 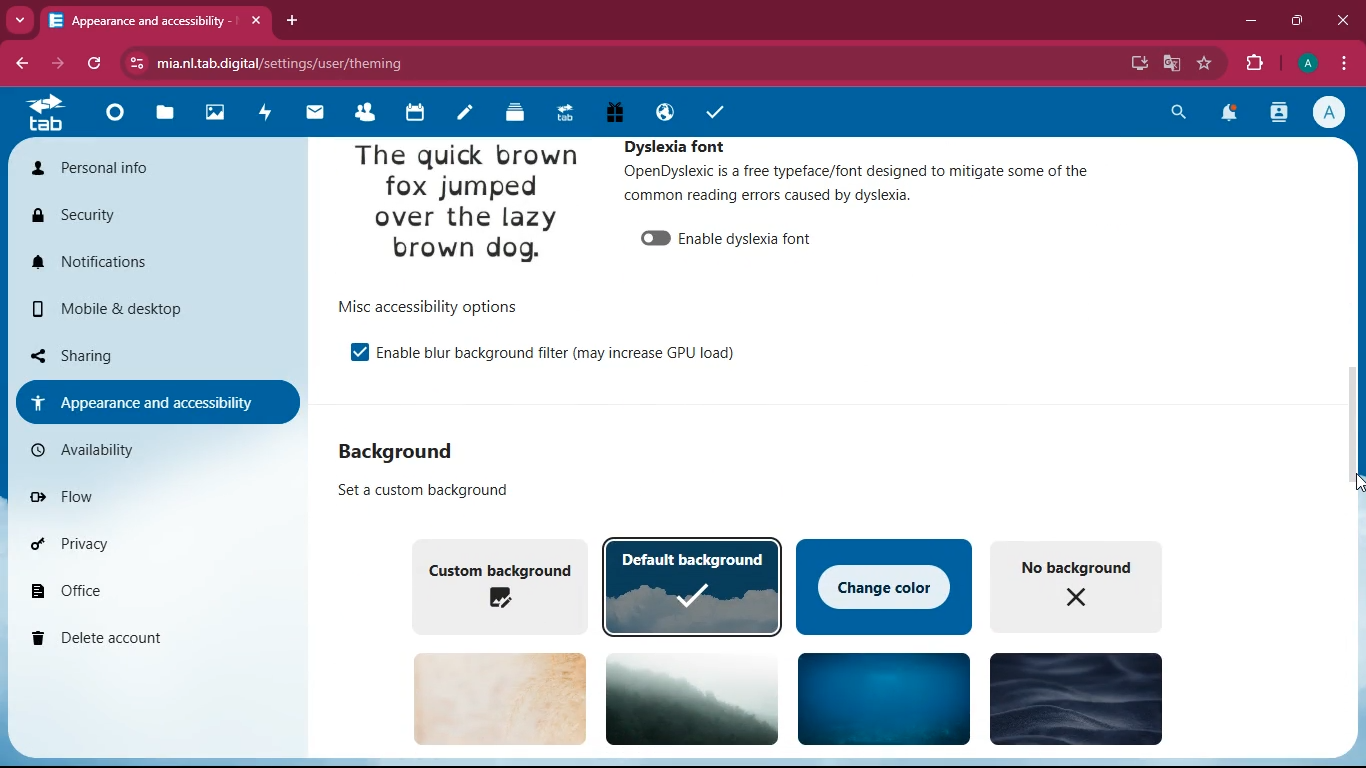 What do you see at coordinates (461, 115) in the screenshot?
I see `notes` at bounding box center [461, 115].